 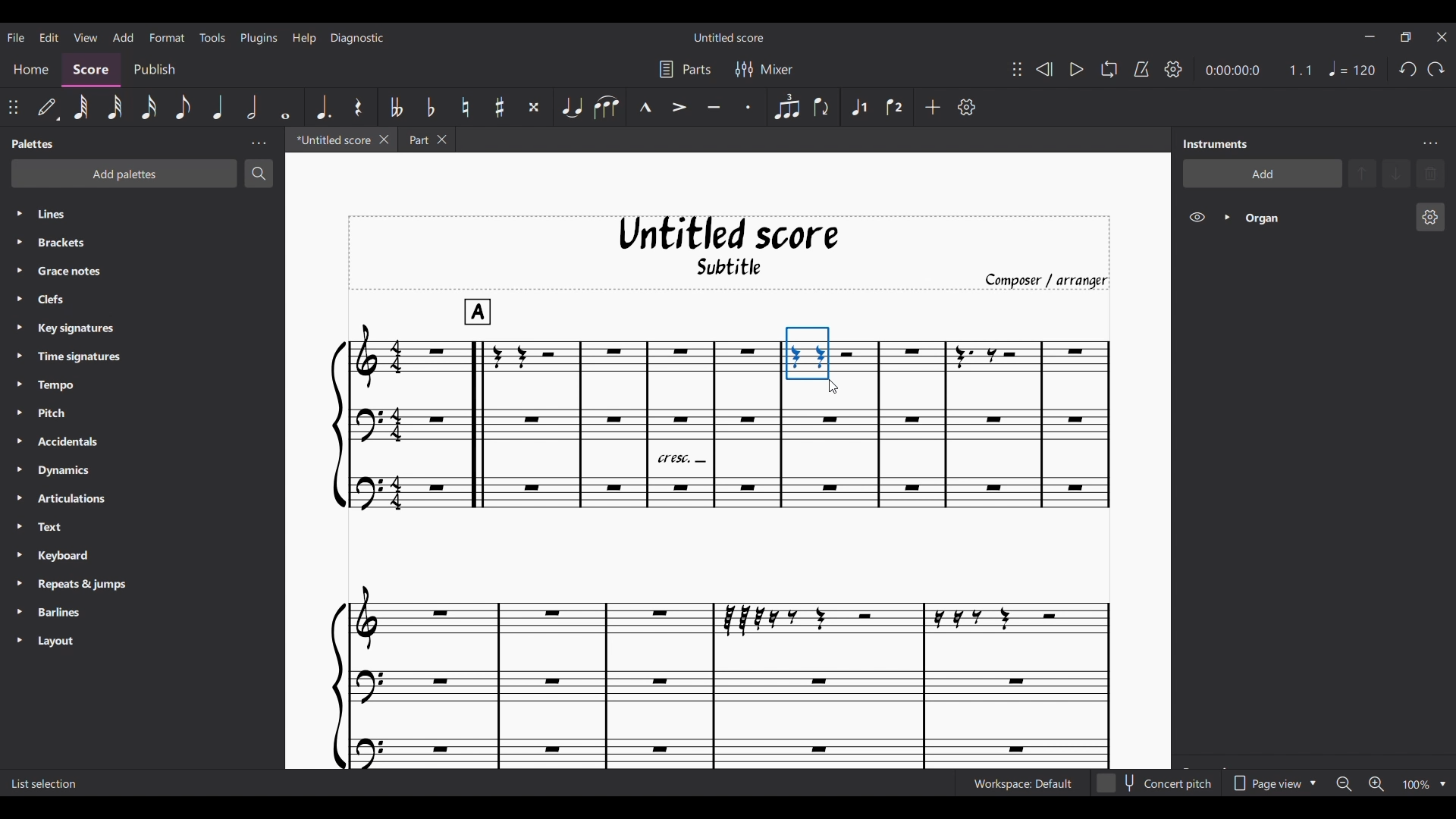 What do you see at coordinates (1109, 69) in the screenshot?
I see `Looping playback` at bounding box center [1109, 69].